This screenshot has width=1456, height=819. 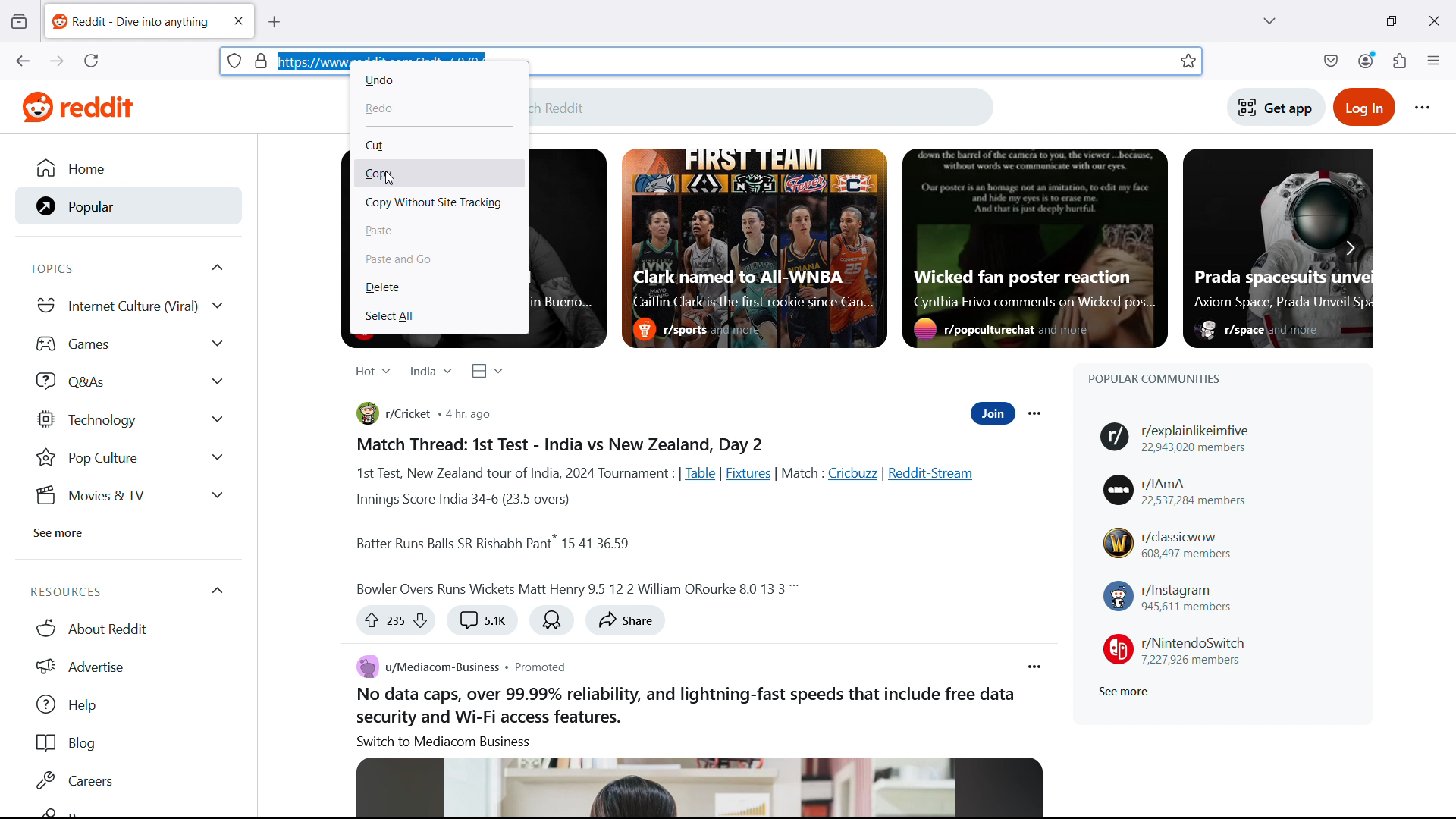 I want to click on Body of the post, so click(x=673, y=516).